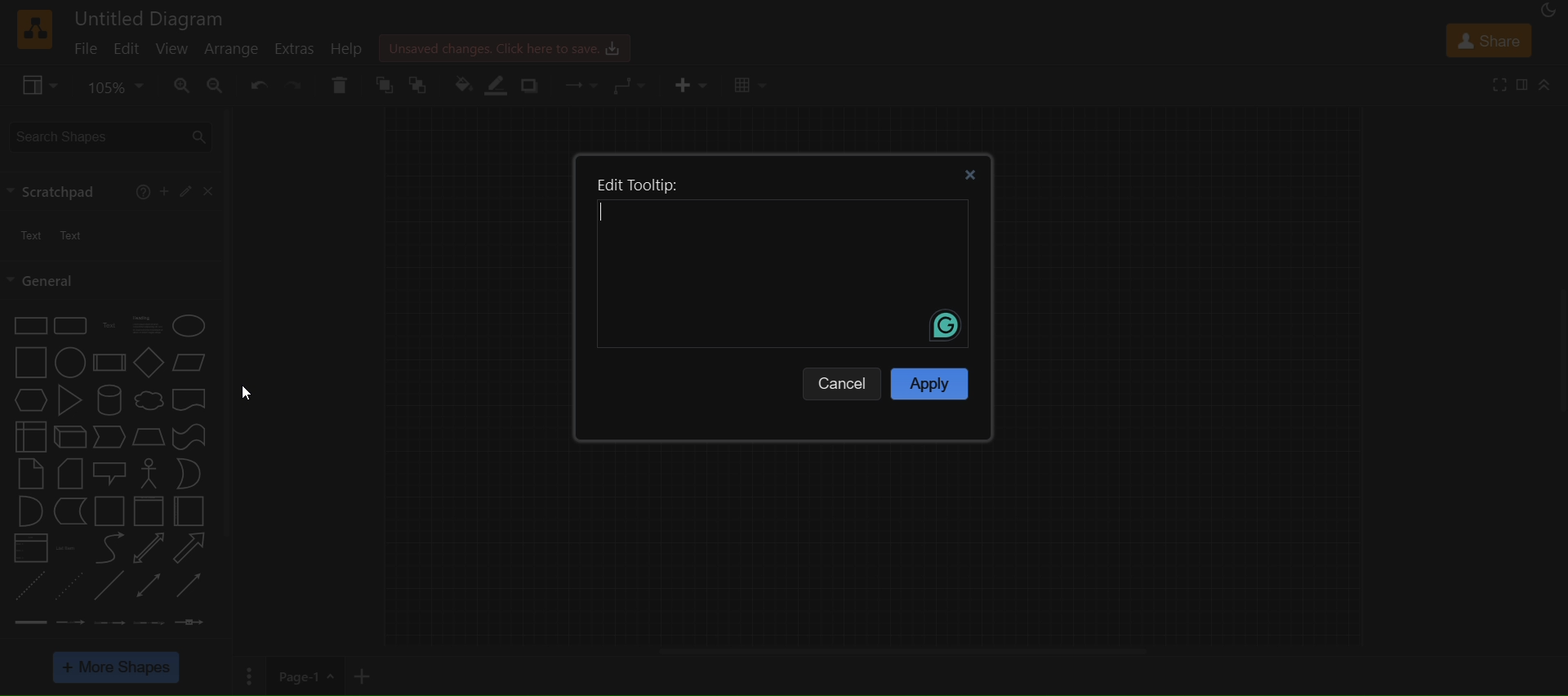 This screenshot has height=696, width=1568. Describe the element at coordinates (228, 321) in the screenshot. I see `vertical scroll bar` at that location.